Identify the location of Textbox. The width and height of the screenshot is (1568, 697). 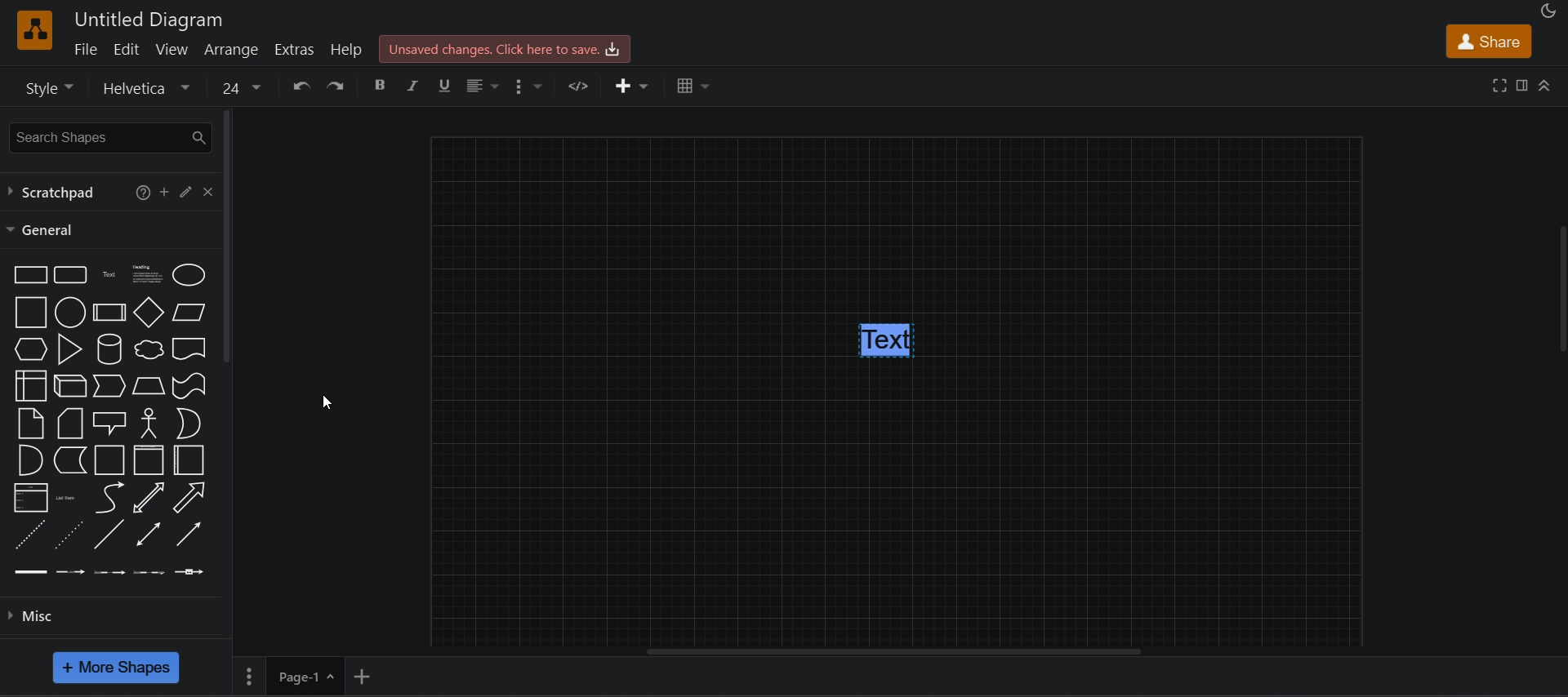
(149, 275).